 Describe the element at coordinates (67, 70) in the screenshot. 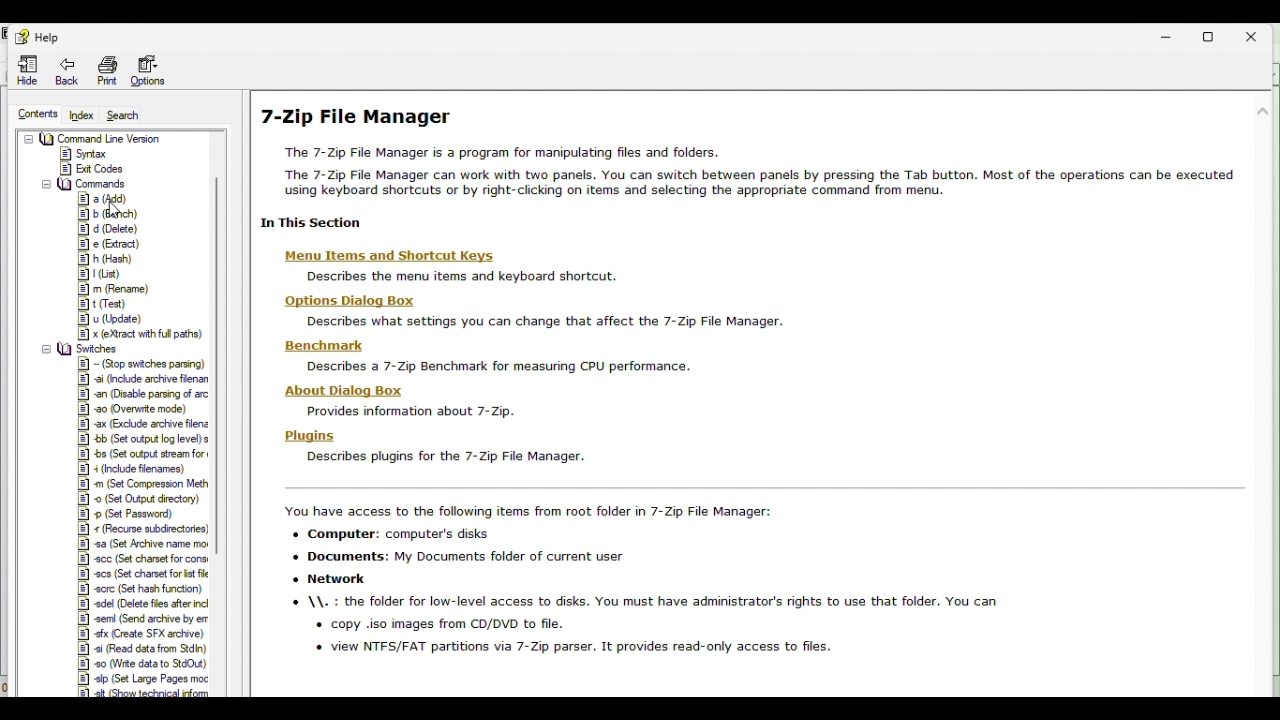

I see `Back ` at that location.